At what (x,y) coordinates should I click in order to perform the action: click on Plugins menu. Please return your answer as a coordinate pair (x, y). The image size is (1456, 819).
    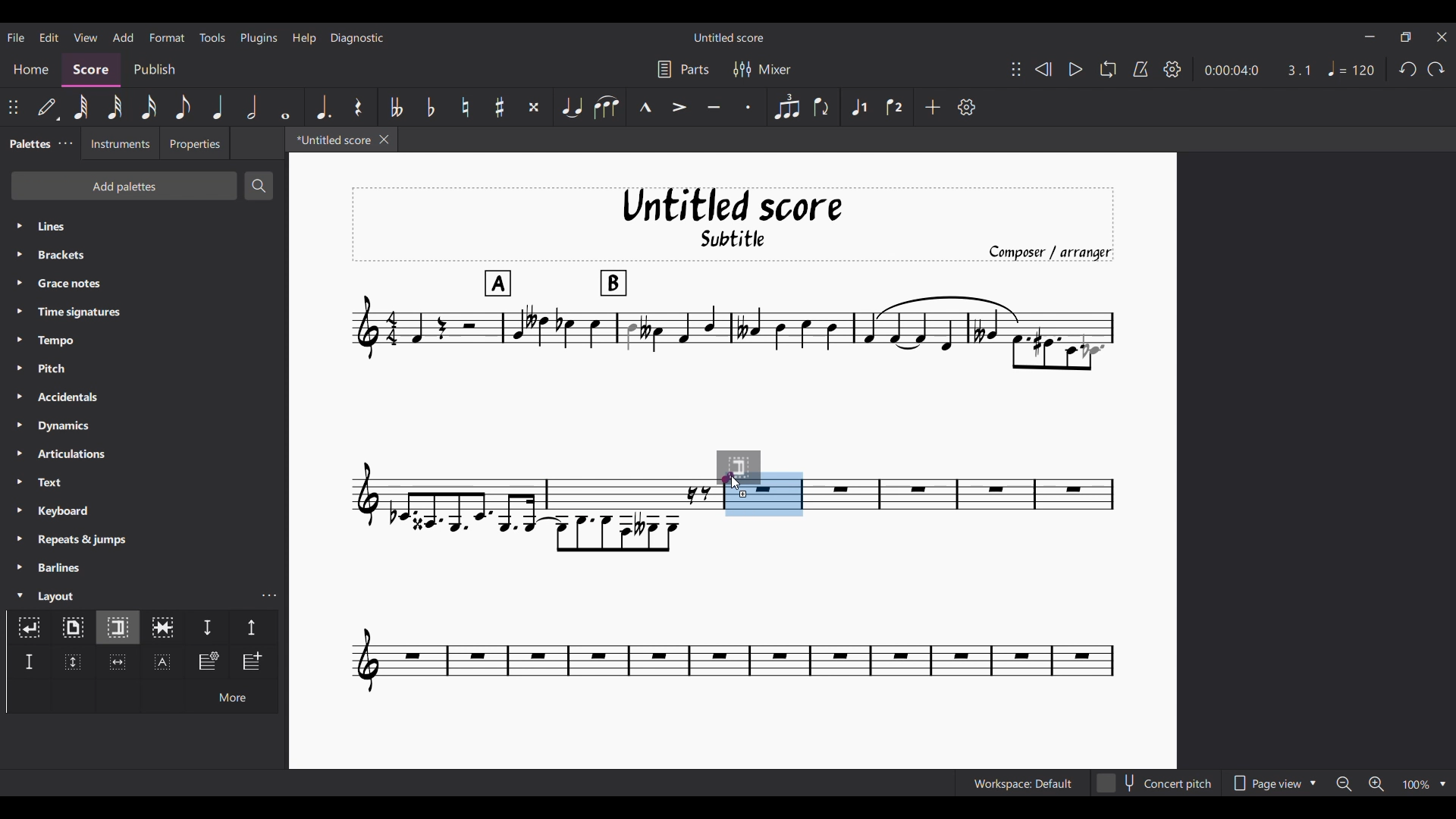
    Looking at the image, I should click on (259, 38).